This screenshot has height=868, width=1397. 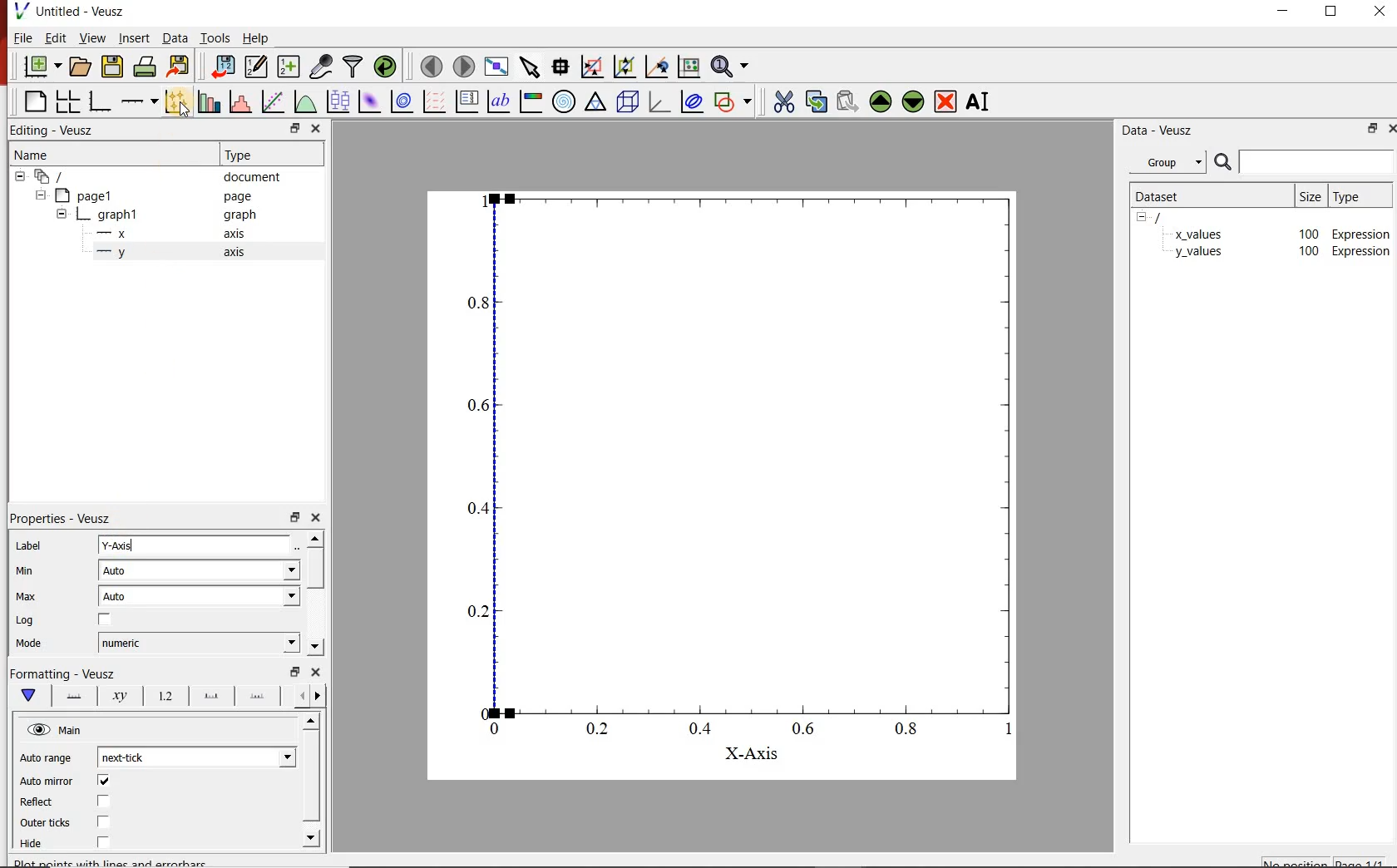 What do you see at coordinates (295, 515) in the screenshot?
I see `restore down` at bounding box center [295, 515].